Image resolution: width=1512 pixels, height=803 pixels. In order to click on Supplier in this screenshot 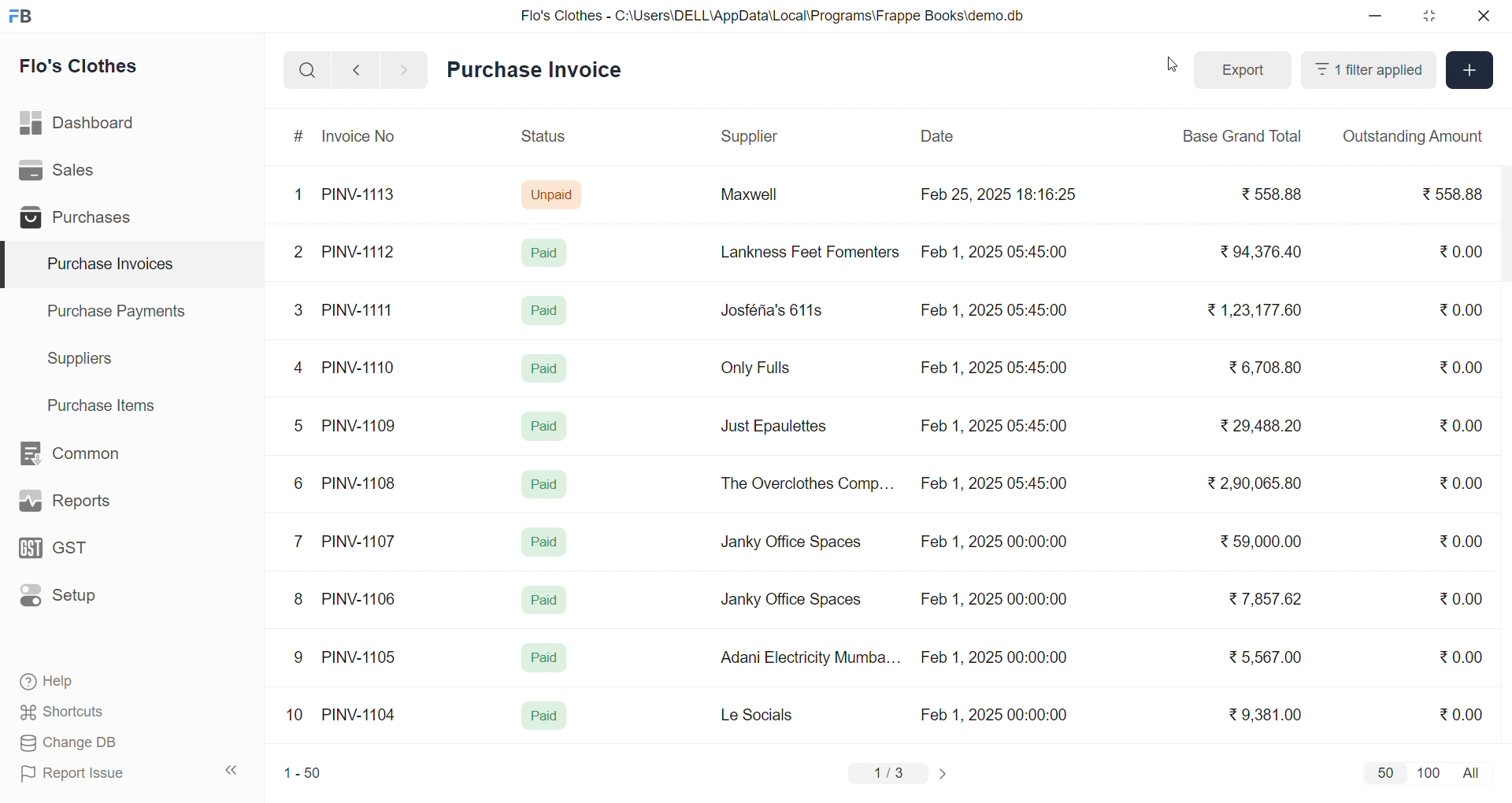, I will do `click(752, 137)`.